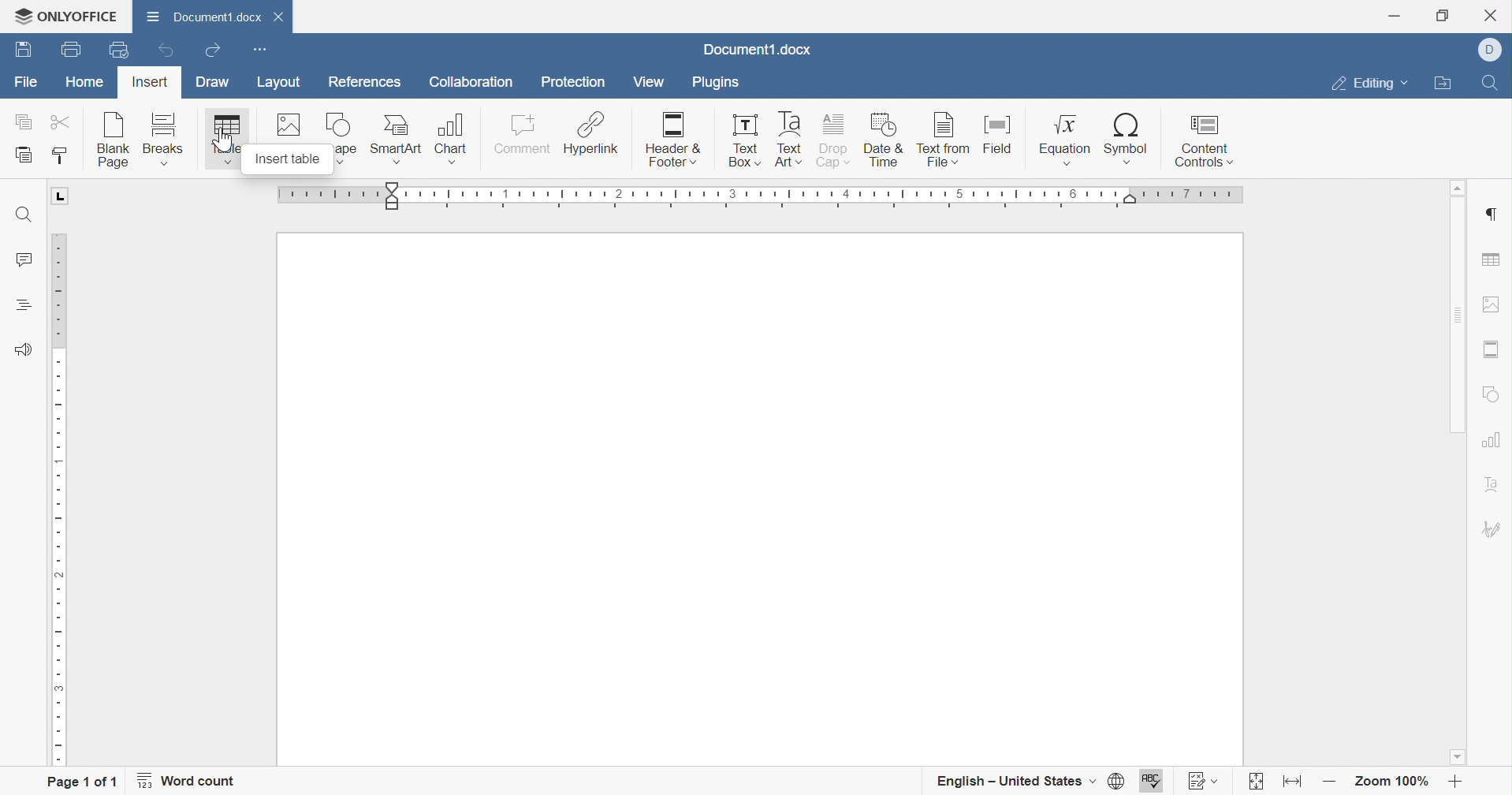 This screenshot has height=795, width=1512. I want to click on Comments, so click(26, 258).